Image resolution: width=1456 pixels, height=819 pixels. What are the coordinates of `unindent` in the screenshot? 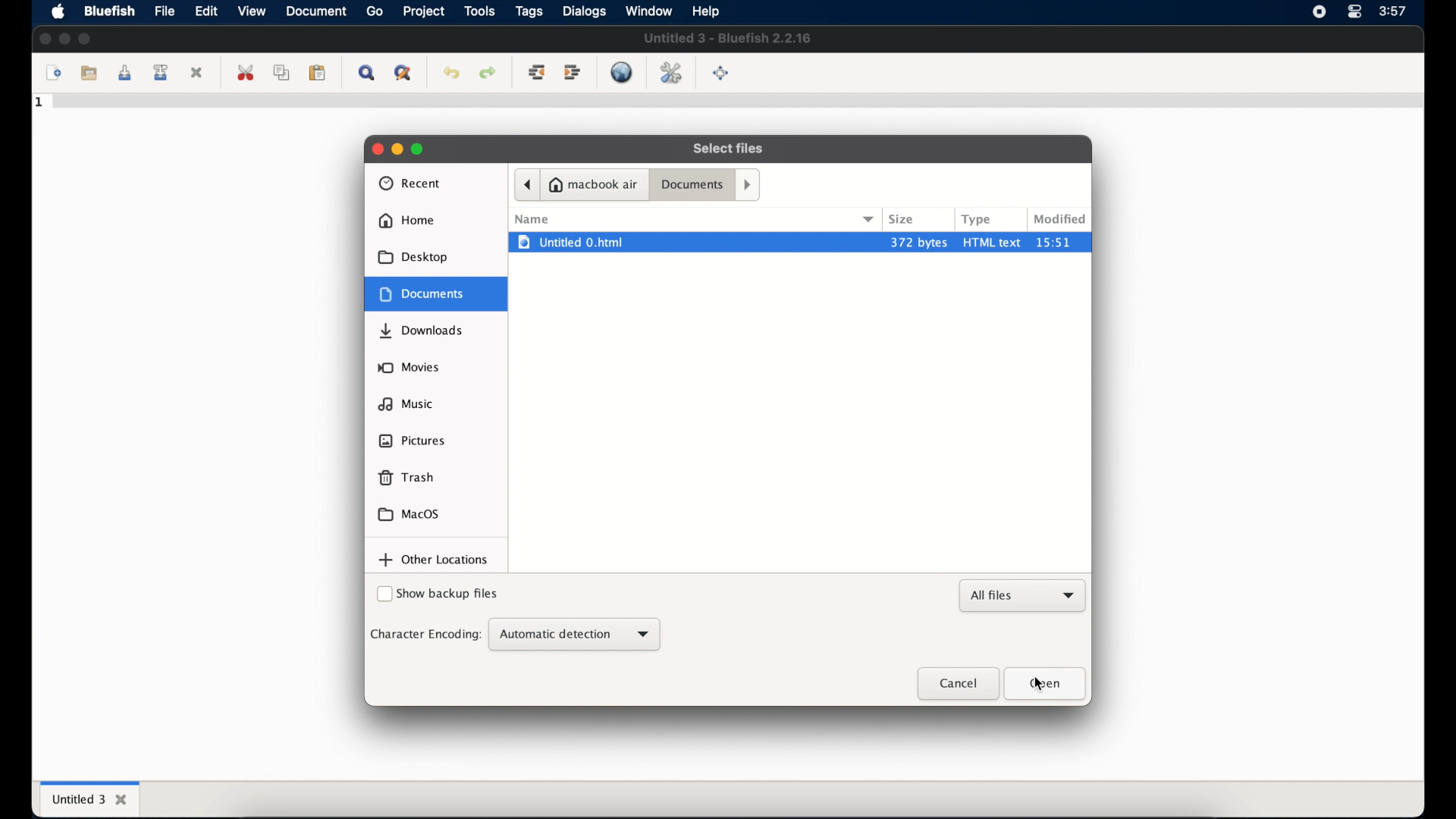 It's located at (537, 74).